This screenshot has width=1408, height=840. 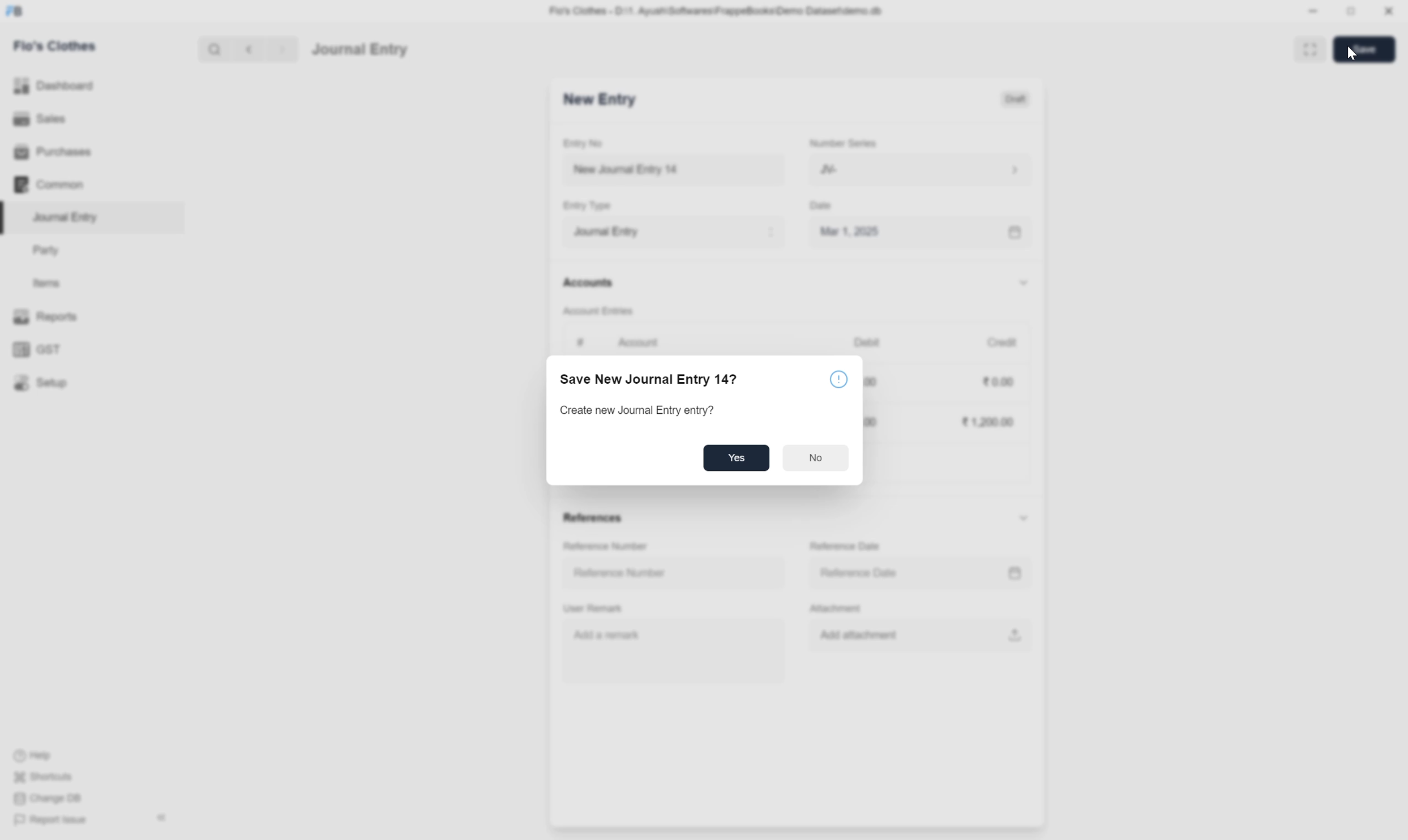 What do you see at coordinates (1389, 11) in the screenshot?
I see `close` at bounding box center [1389, 11].